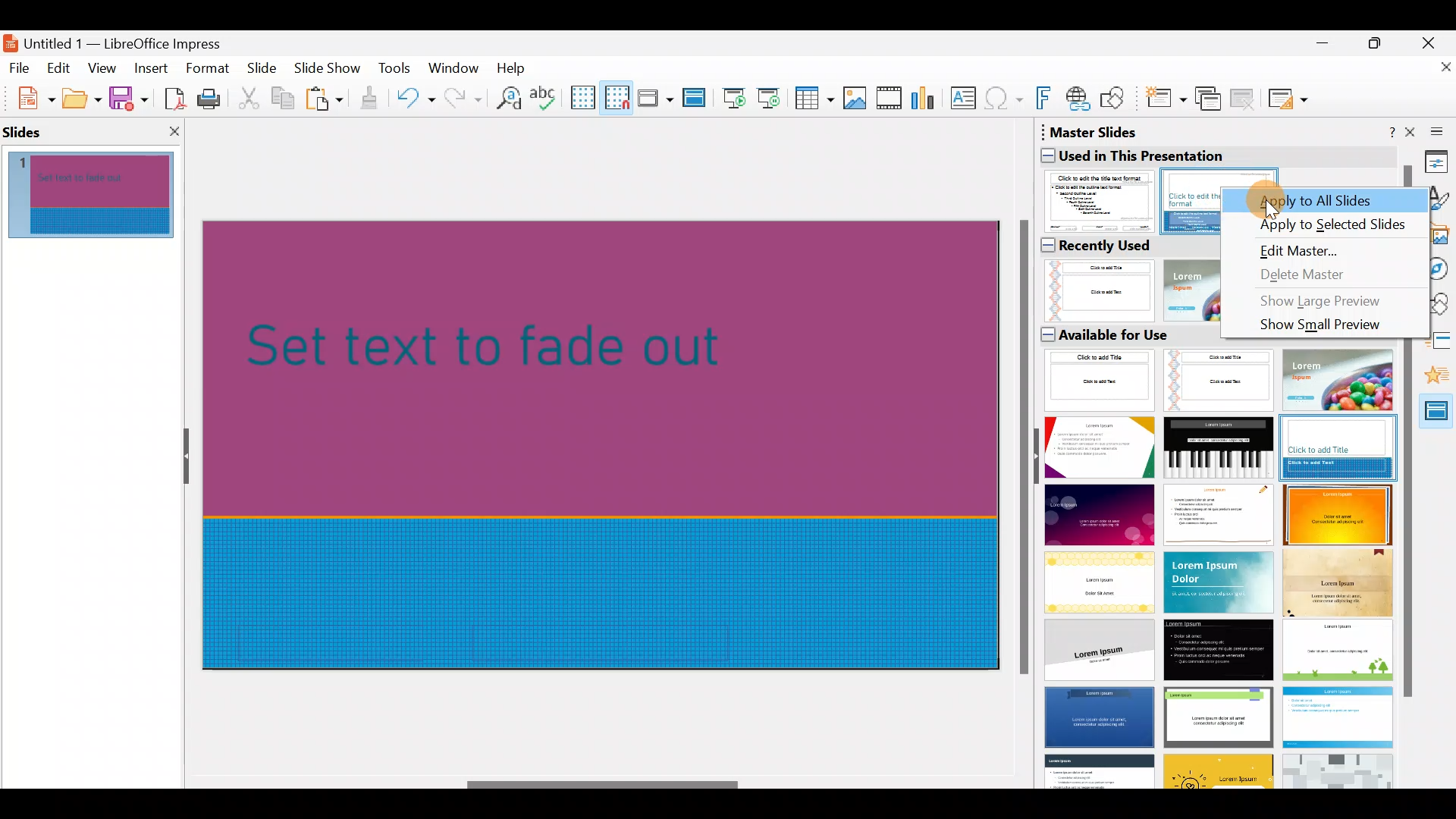 Image resolution: width=1456 pixels, height=819 pixels. What do you see at coordinates (773, 97) in the screenshot?
I see `Start from current slide` at bounding box center [773, 97].